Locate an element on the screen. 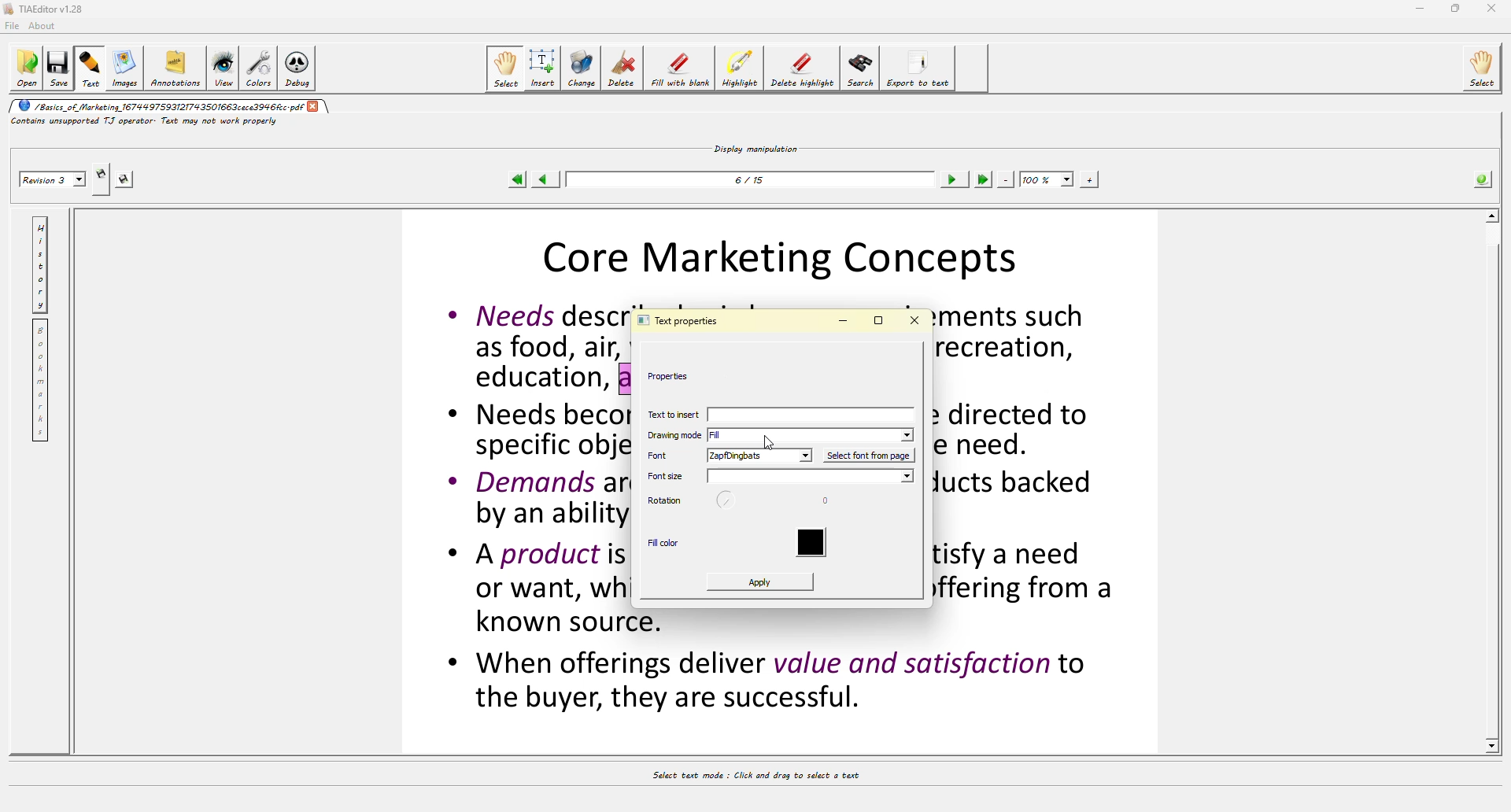  6/15 is located at coordinates (752, 184).